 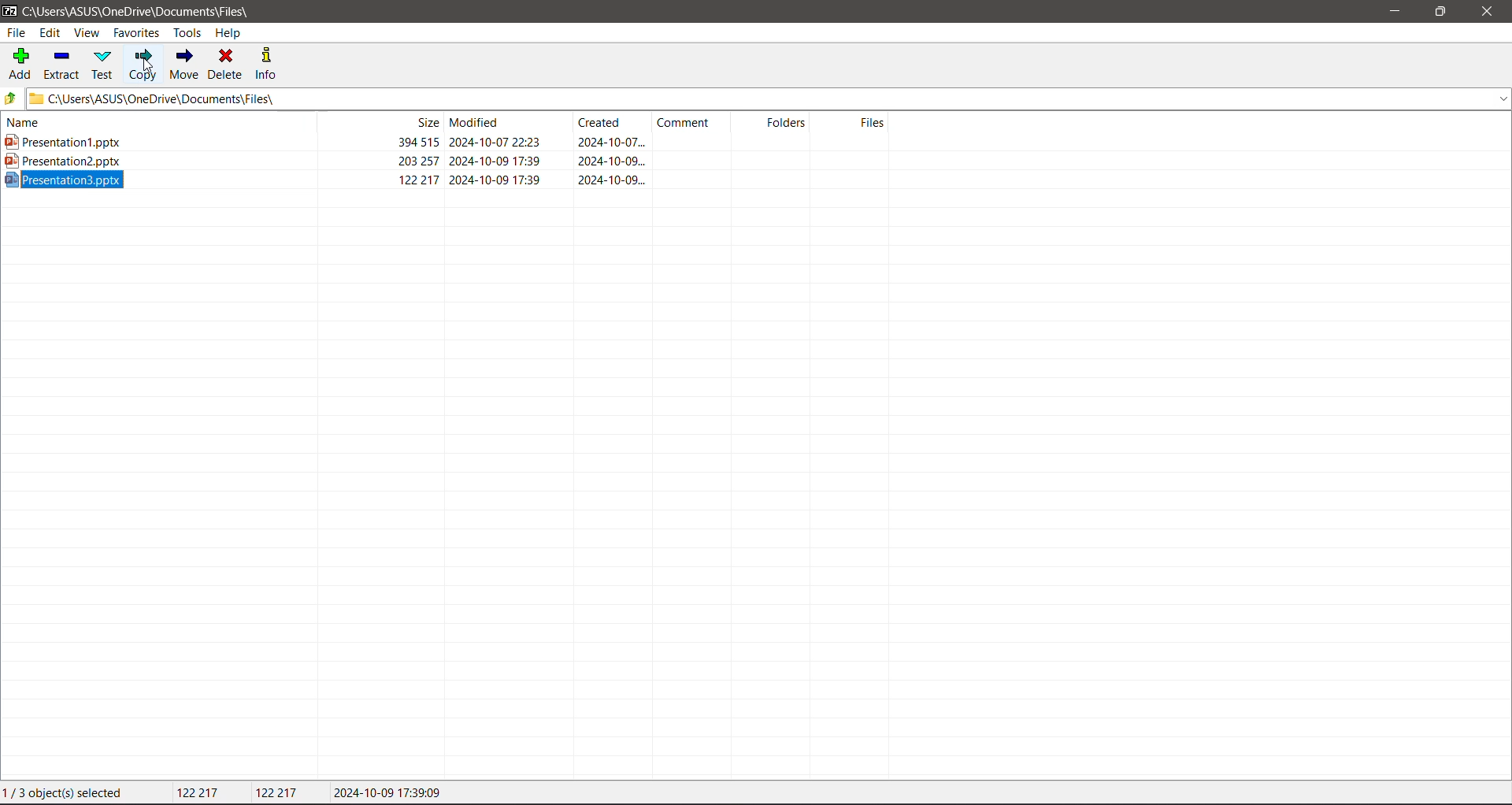 I want to click on Extract, so click(x=62, y=65).